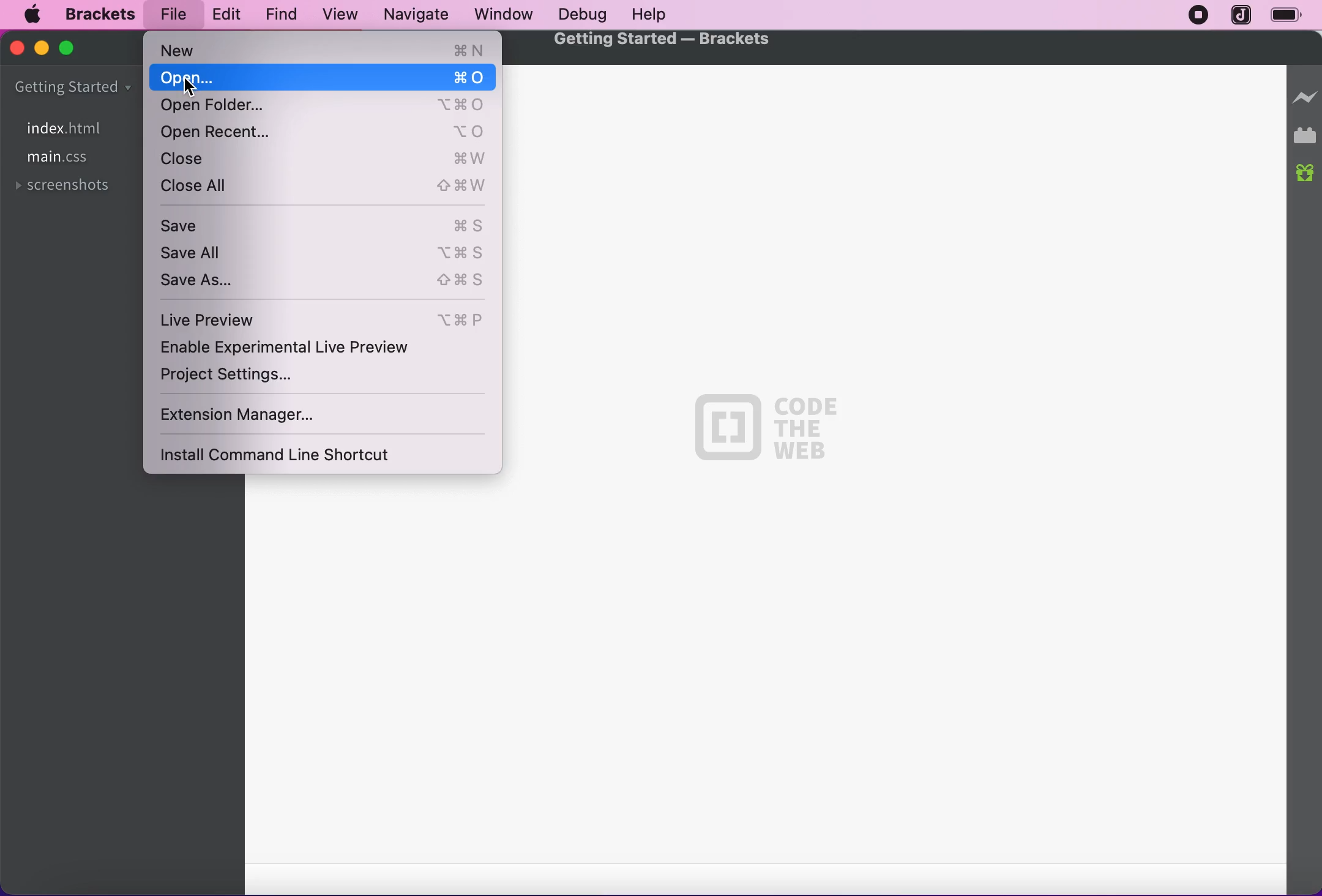 This screenshot has height=896, width=1322. What do you see at coordinates (1242, 16) in the screenshot?
I see `jopplin app` at bounding box center [1242, 16].